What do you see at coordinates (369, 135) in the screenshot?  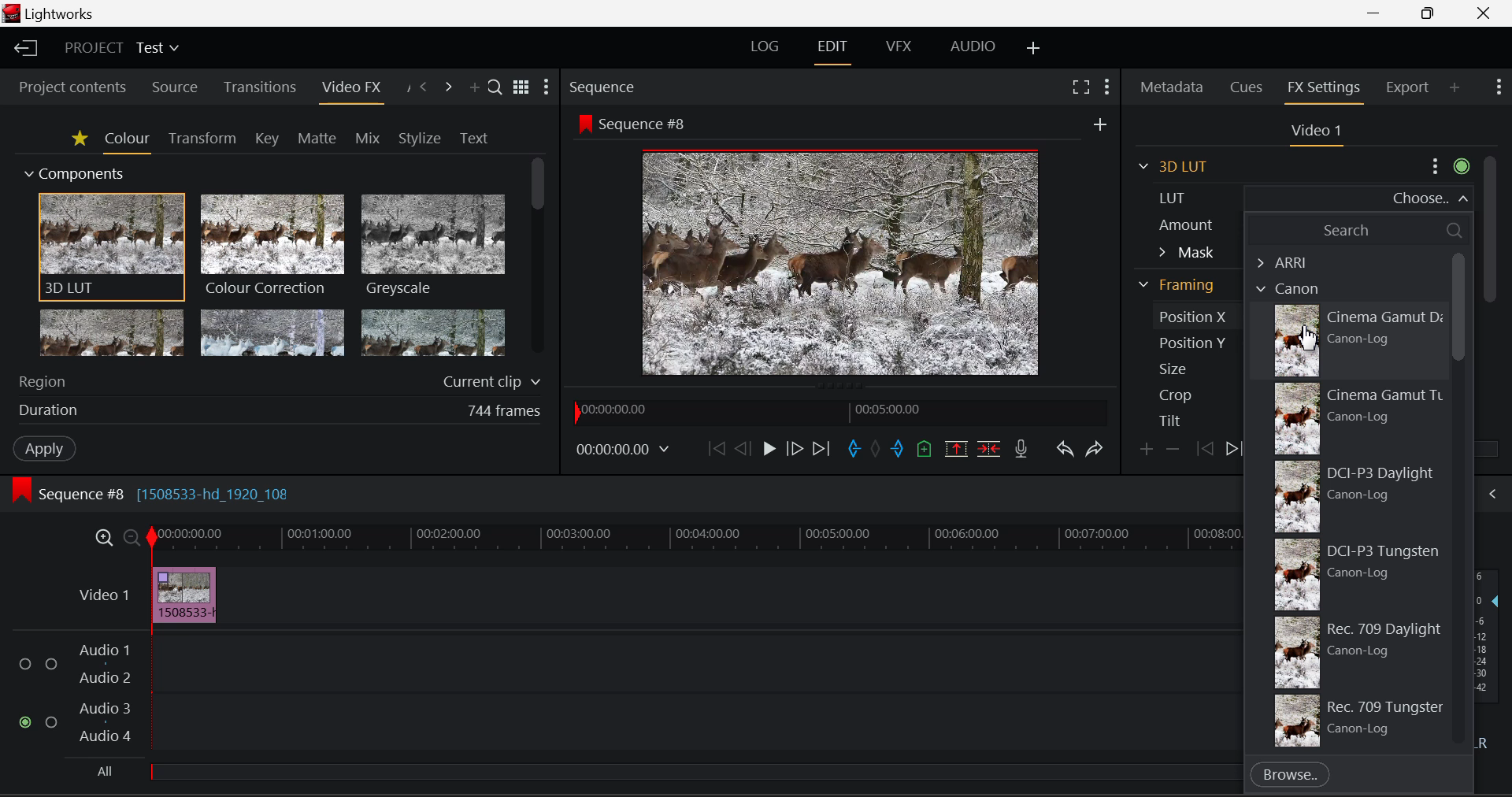 I see `Mix` at bounding box center [369, 135].